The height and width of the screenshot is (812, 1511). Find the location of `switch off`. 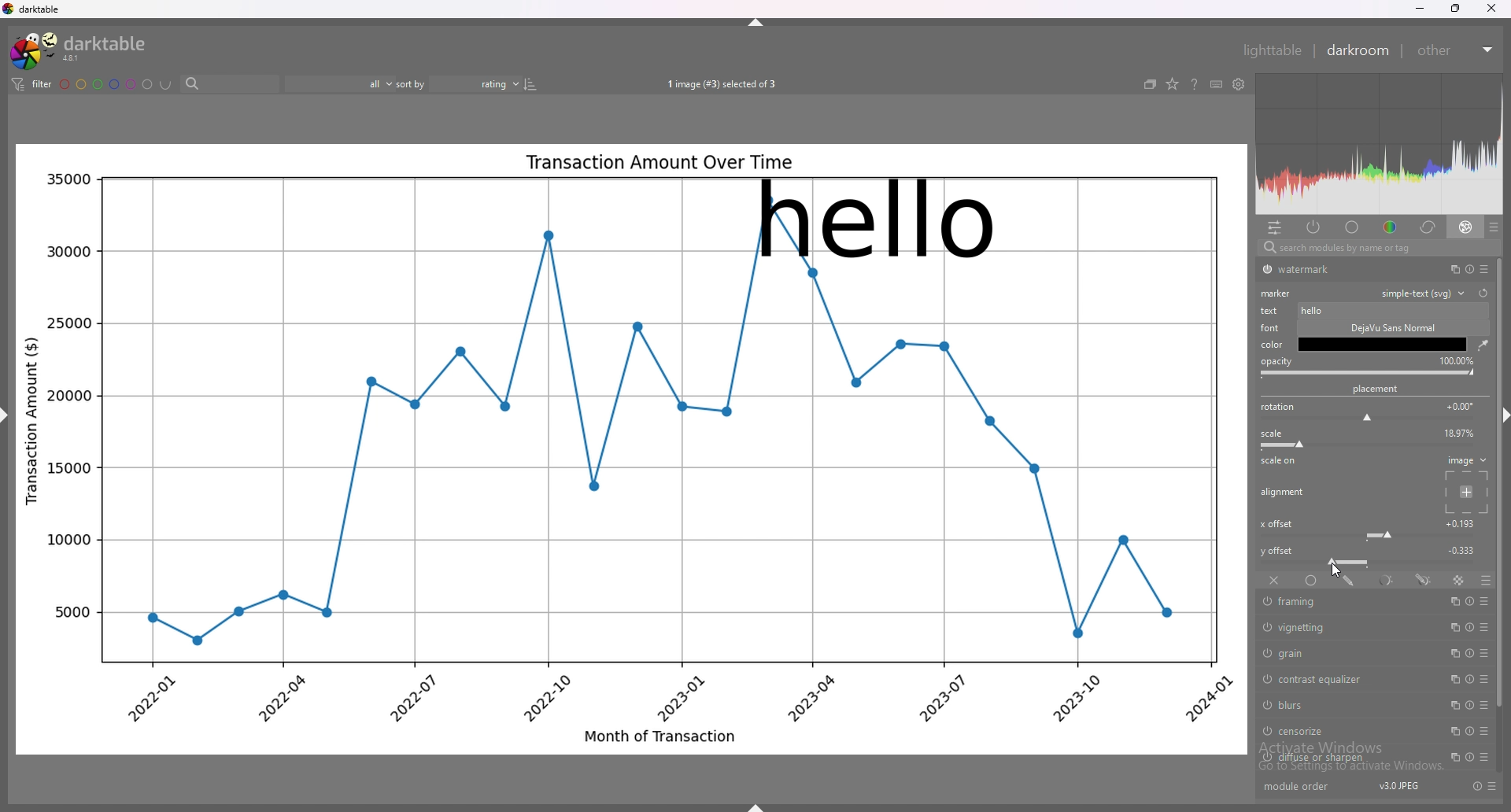

switch off is located at coordinates (1265, 758).